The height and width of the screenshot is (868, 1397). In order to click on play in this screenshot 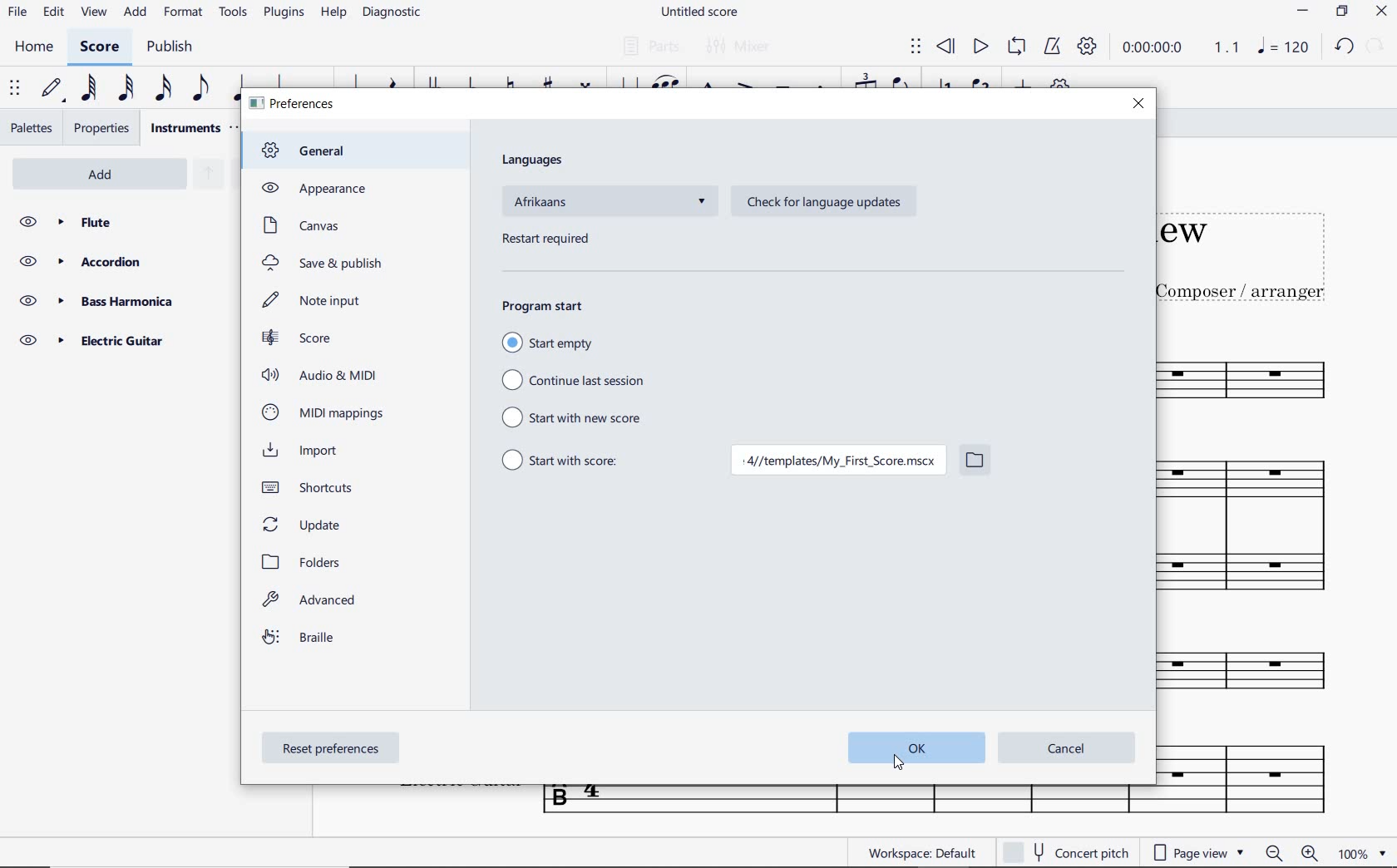, I will do `click(980, 47)`.